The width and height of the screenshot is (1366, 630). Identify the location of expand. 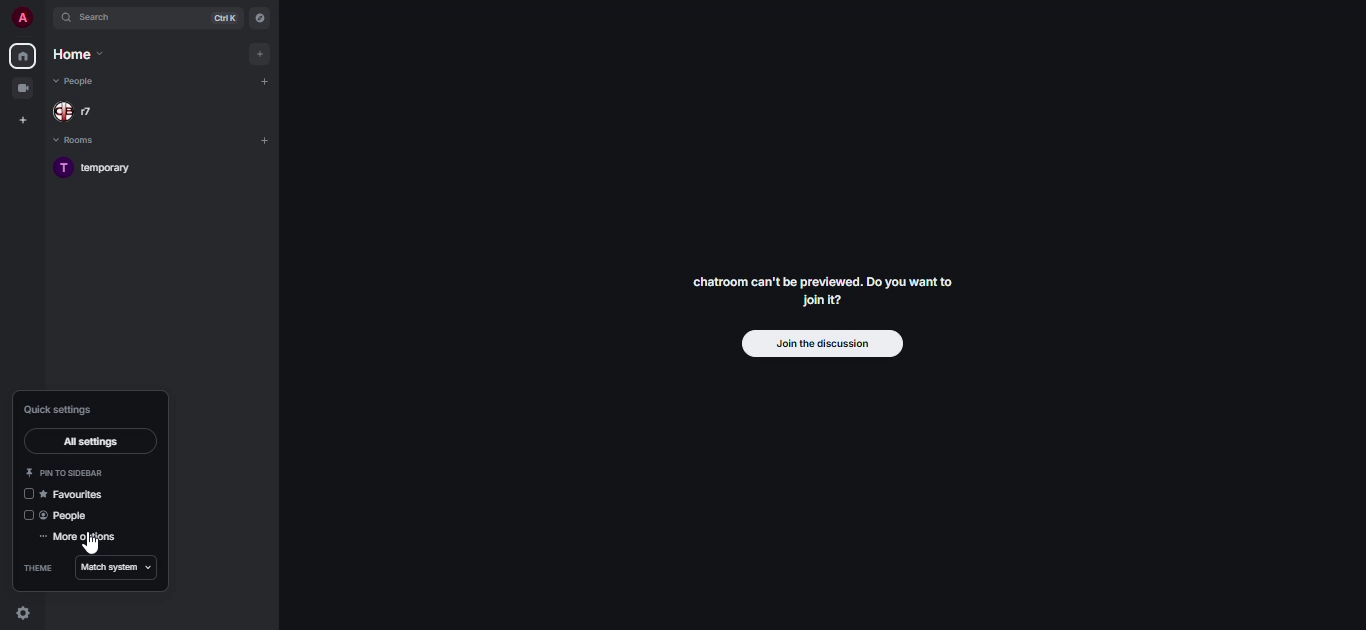
(45, 19).